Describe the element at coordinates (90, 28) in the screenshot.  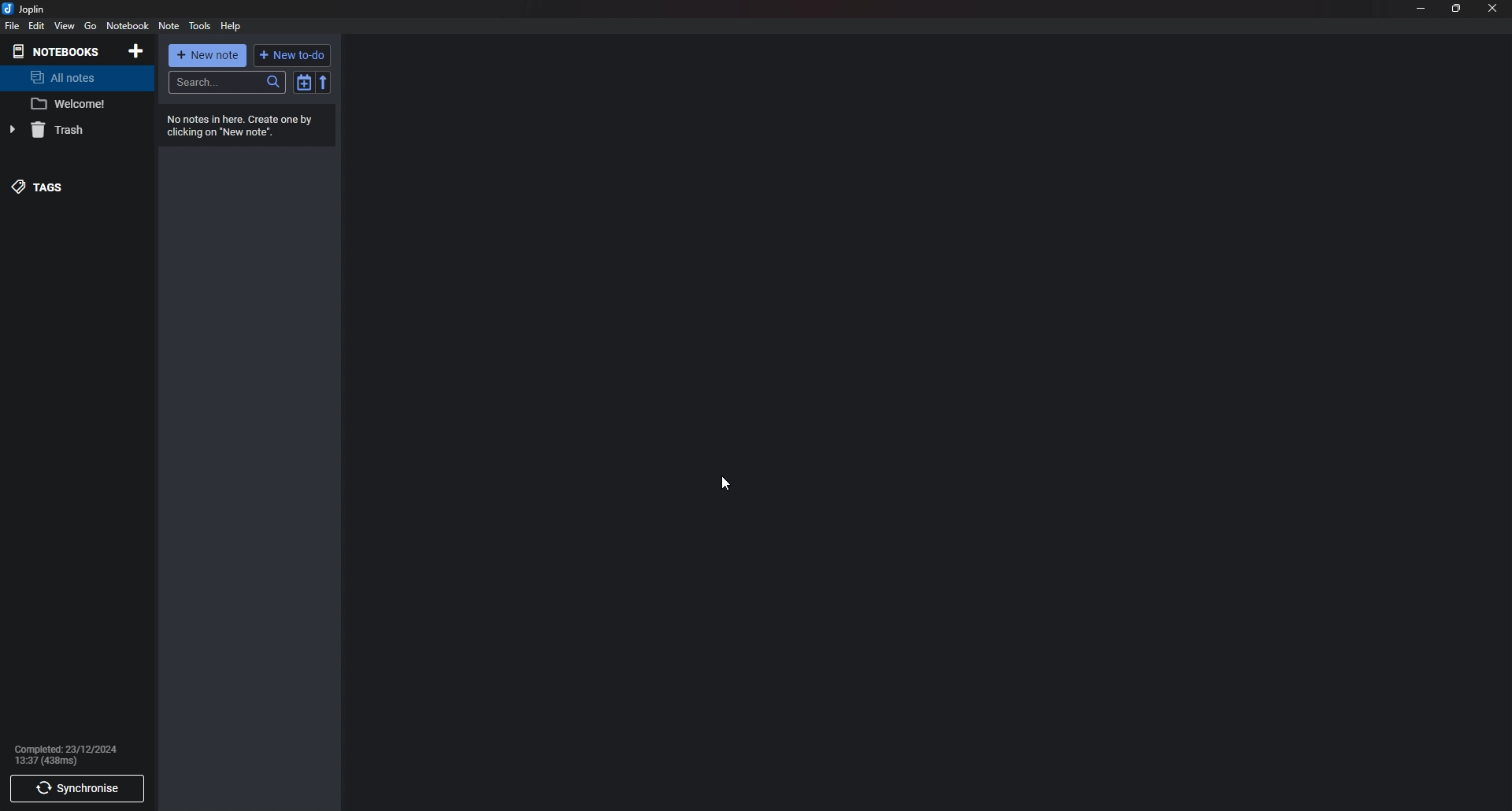
I see `go` at that location.